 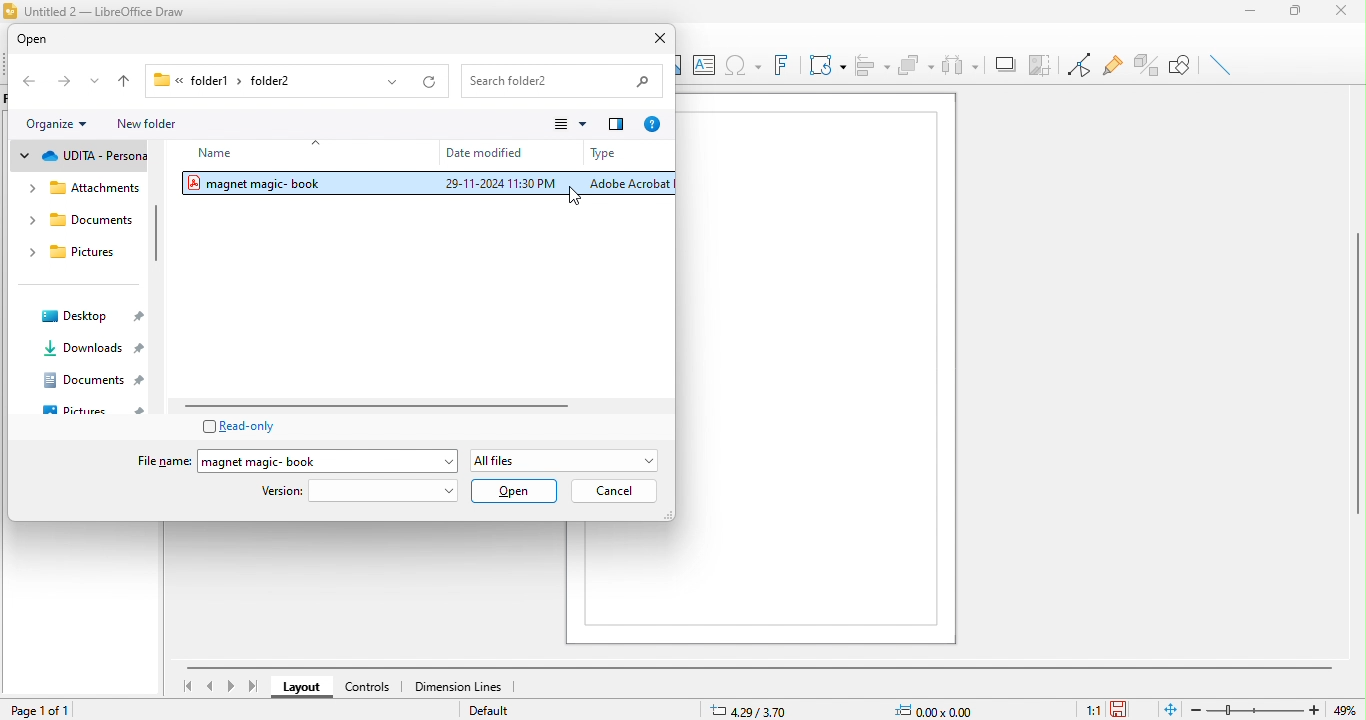 What do you see at coordinates (1146, 65) in the screenshot?
I see `toggle extrusion` at bounding box center [1146, 65].